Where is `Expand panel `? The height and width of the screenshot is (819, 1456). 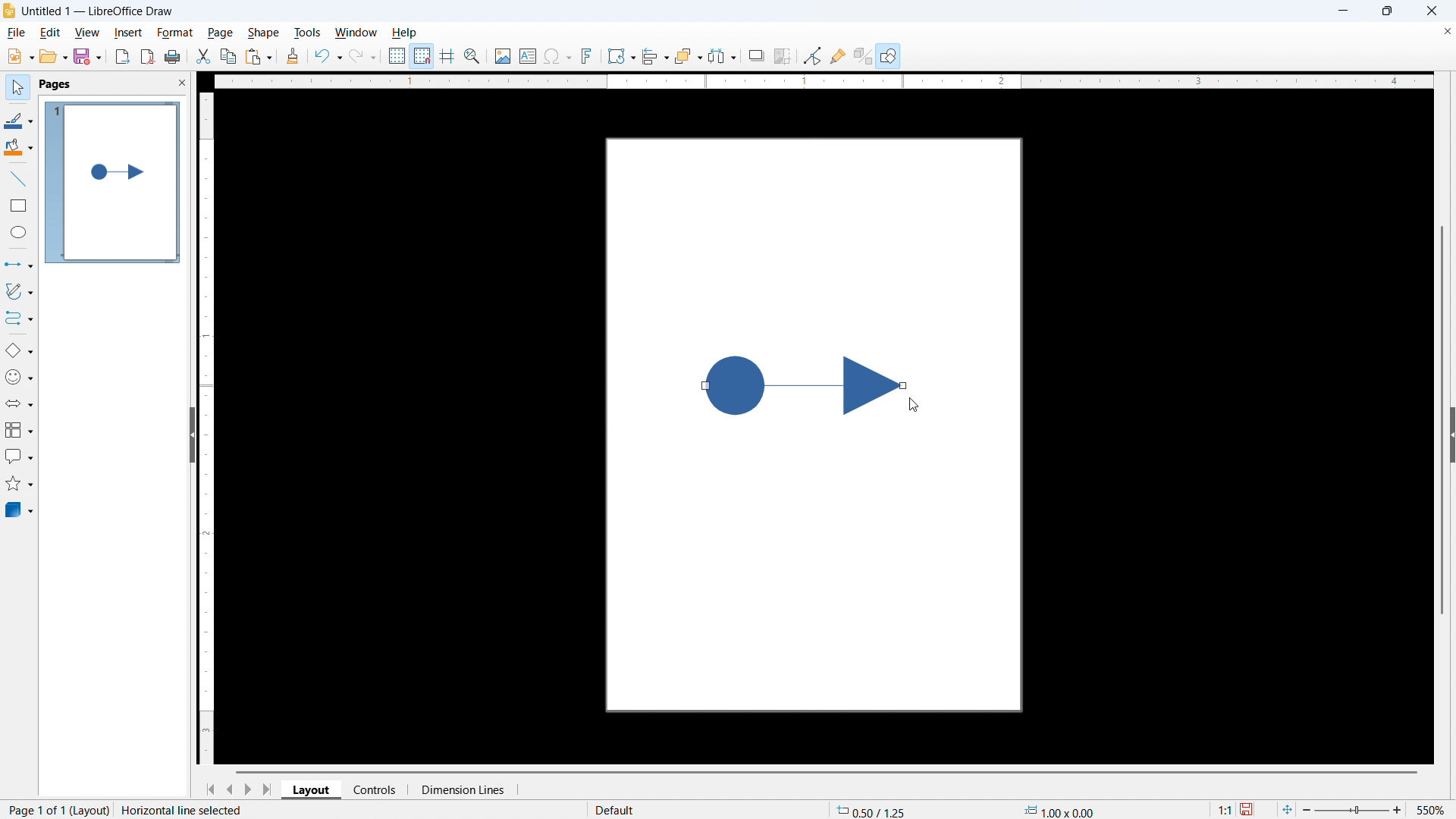 Expand panel  is located at coordinates (1451, 435).